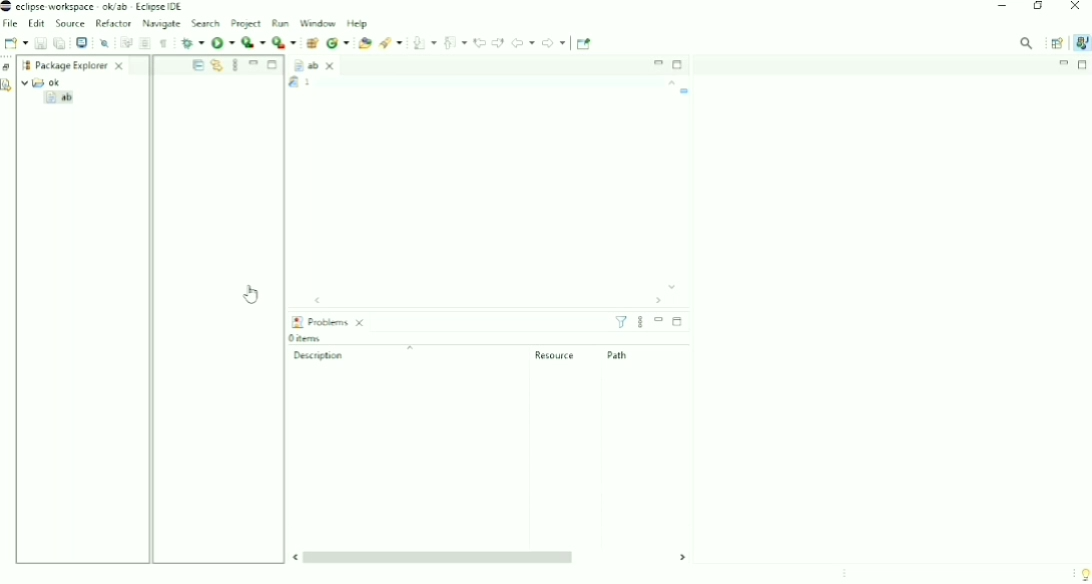 This screenshot has height=584, width=1092. I want to click on New Java Package, so click(311, 43).